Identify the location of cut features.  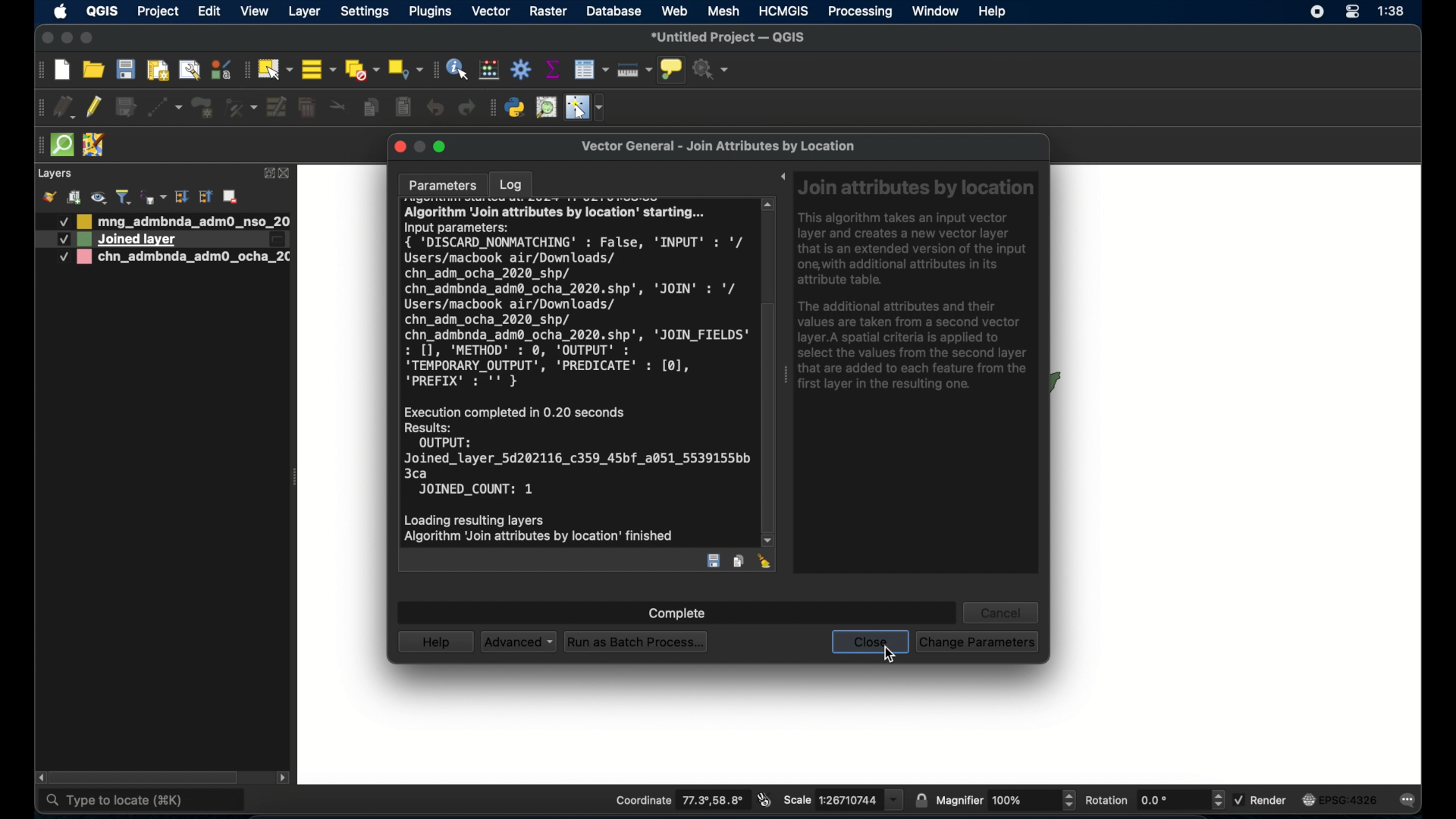
(338, 106).